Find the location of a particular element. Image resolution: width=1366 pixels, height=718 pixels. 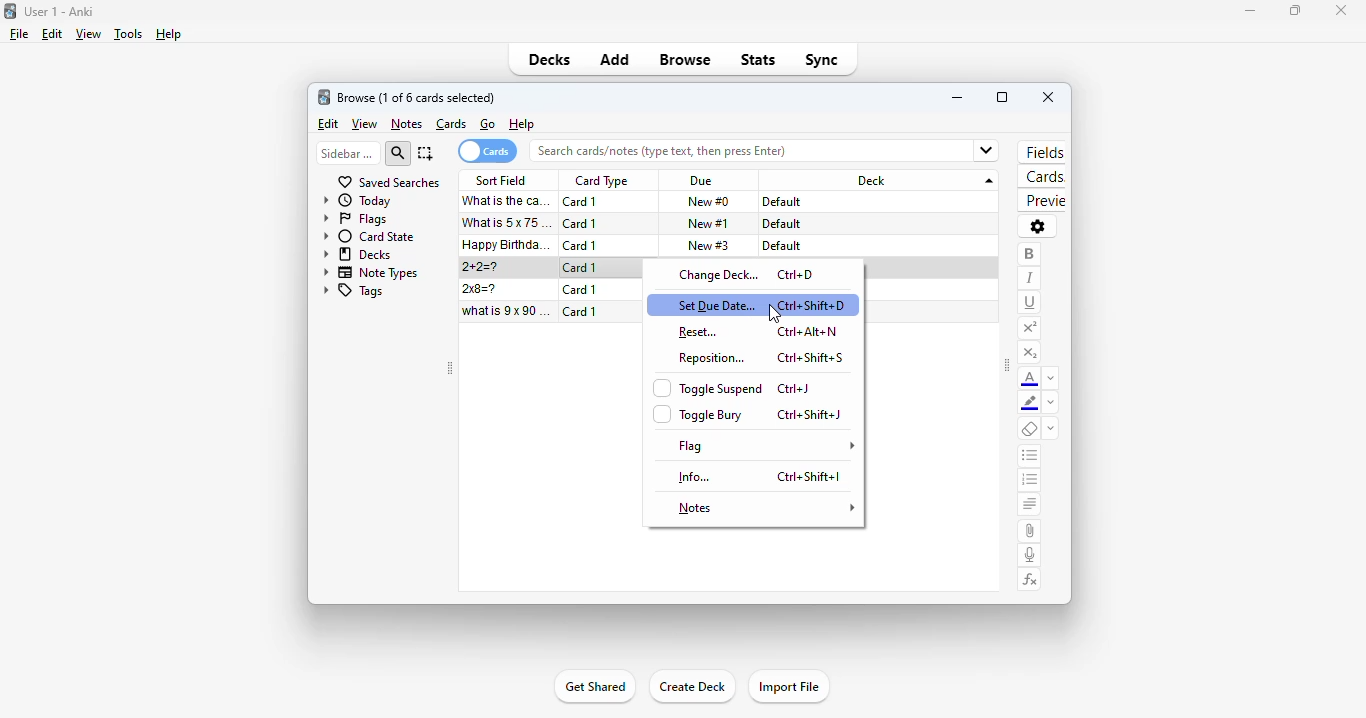

view is located at coordinates (87, 34).